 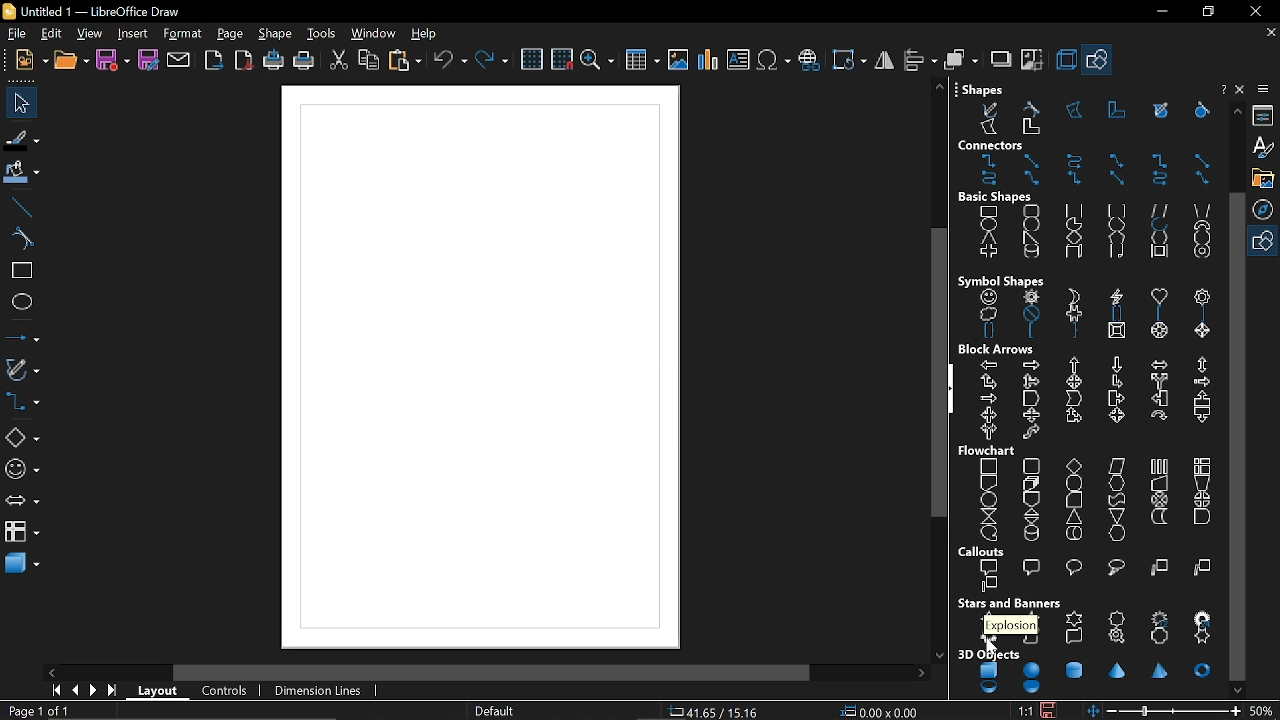 What do you see at coordinates (641, 62) in the screenshot?
I see `Insert table` at bounding box center [641, 62].